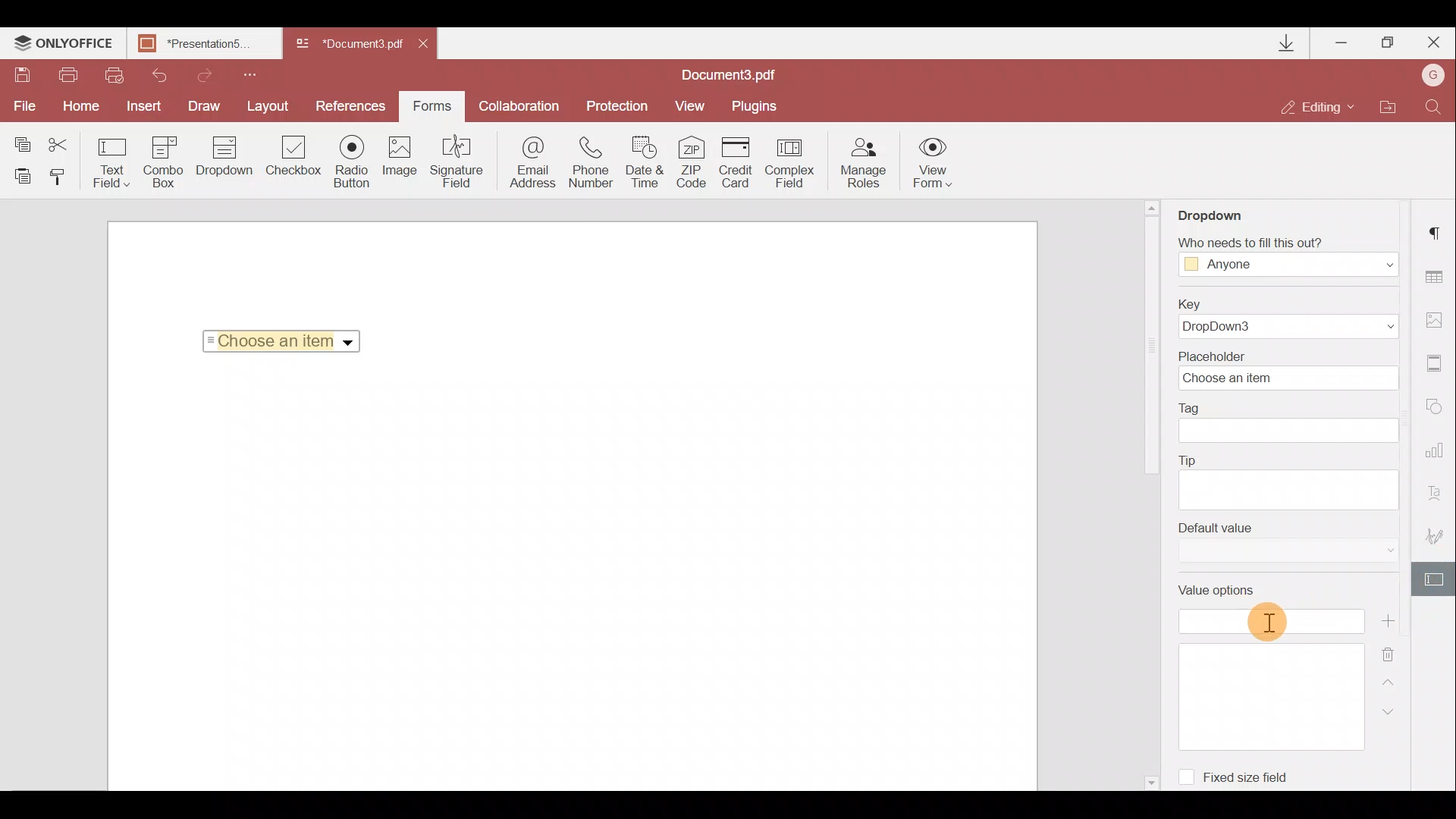 This screenshot has height=819, width=1456. What do you see at coordinates (432, 106) in the screenshot?
I see `Forms` at bounding box center [432, 106].